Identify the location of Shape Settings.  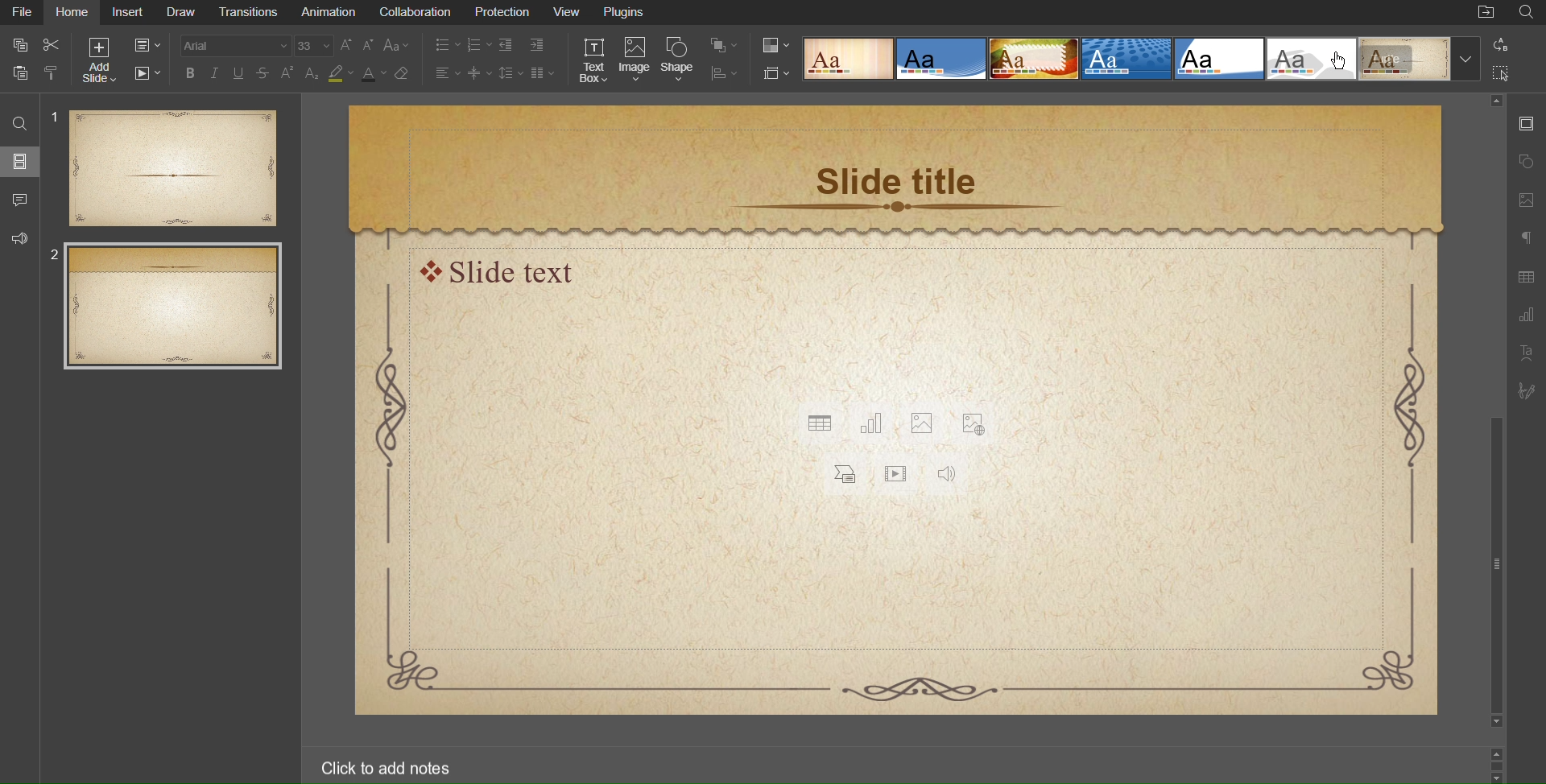
(1527, 159).